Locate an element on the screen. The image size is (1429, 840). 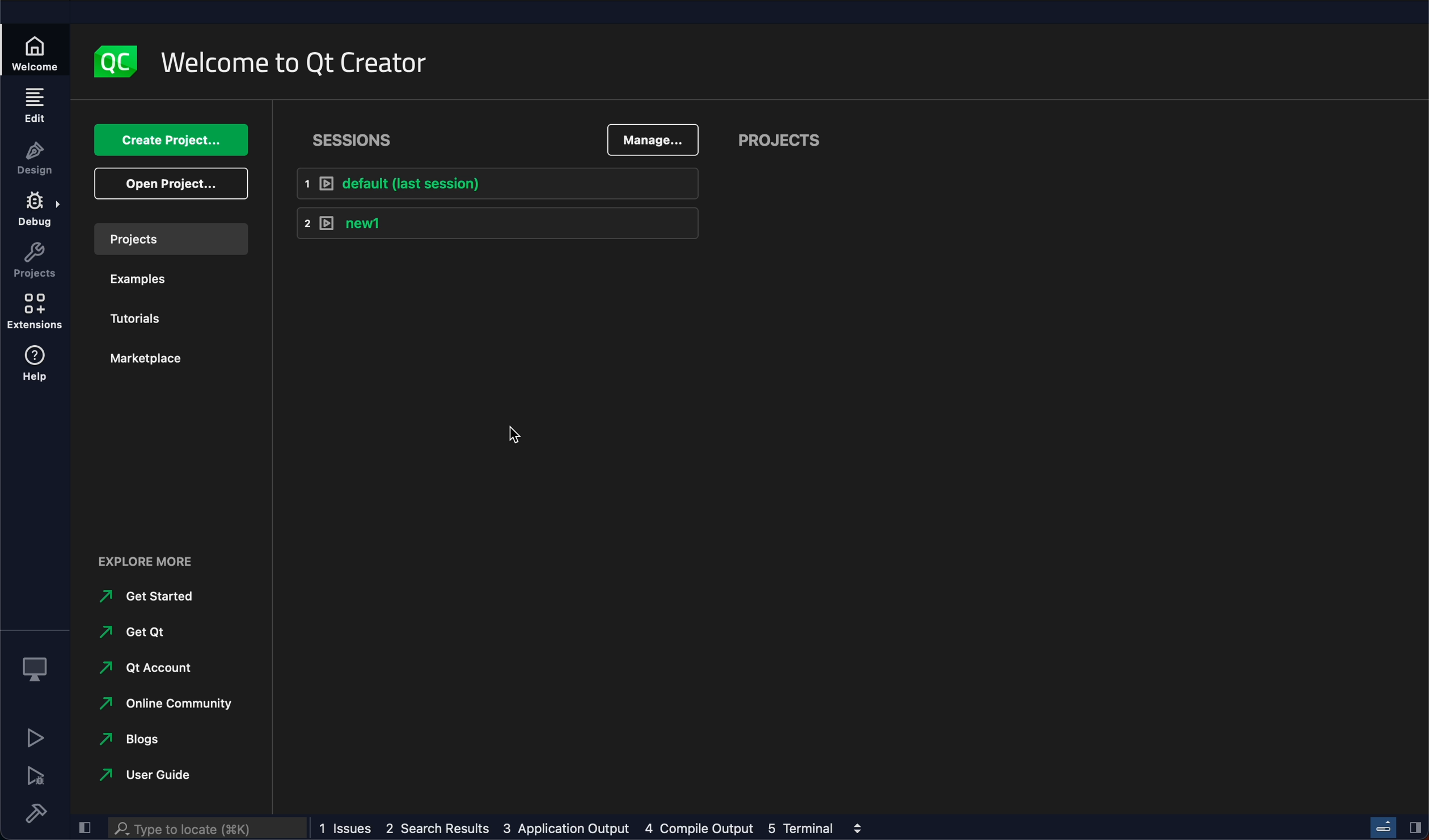
marketplace is located at coordinates (148, 364).